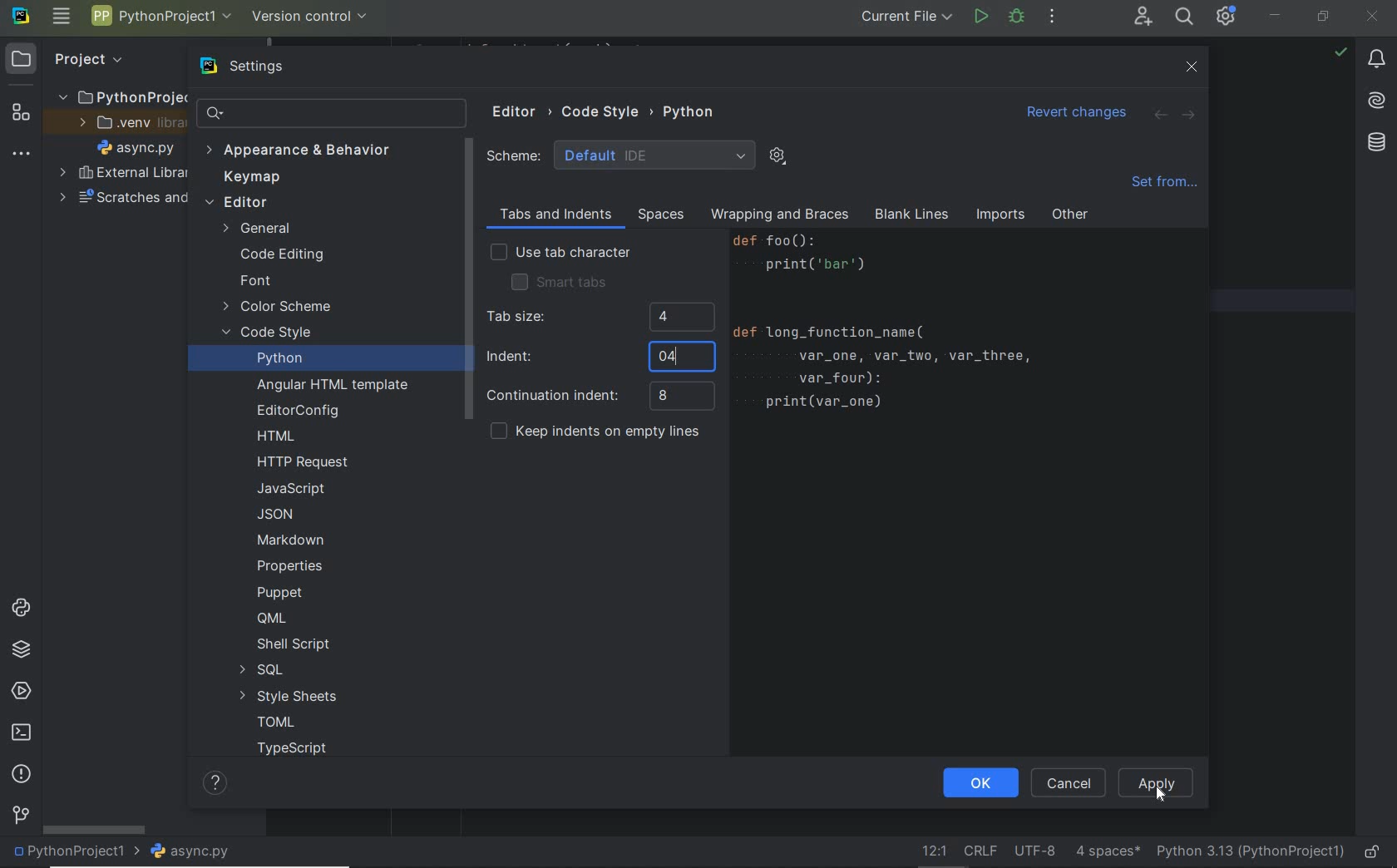 The width and height of the screenshot is (1397, 868). What do you see at coordinates (236, 204) in the screenshot?
I see `editor` at bounding box center [236, 204].